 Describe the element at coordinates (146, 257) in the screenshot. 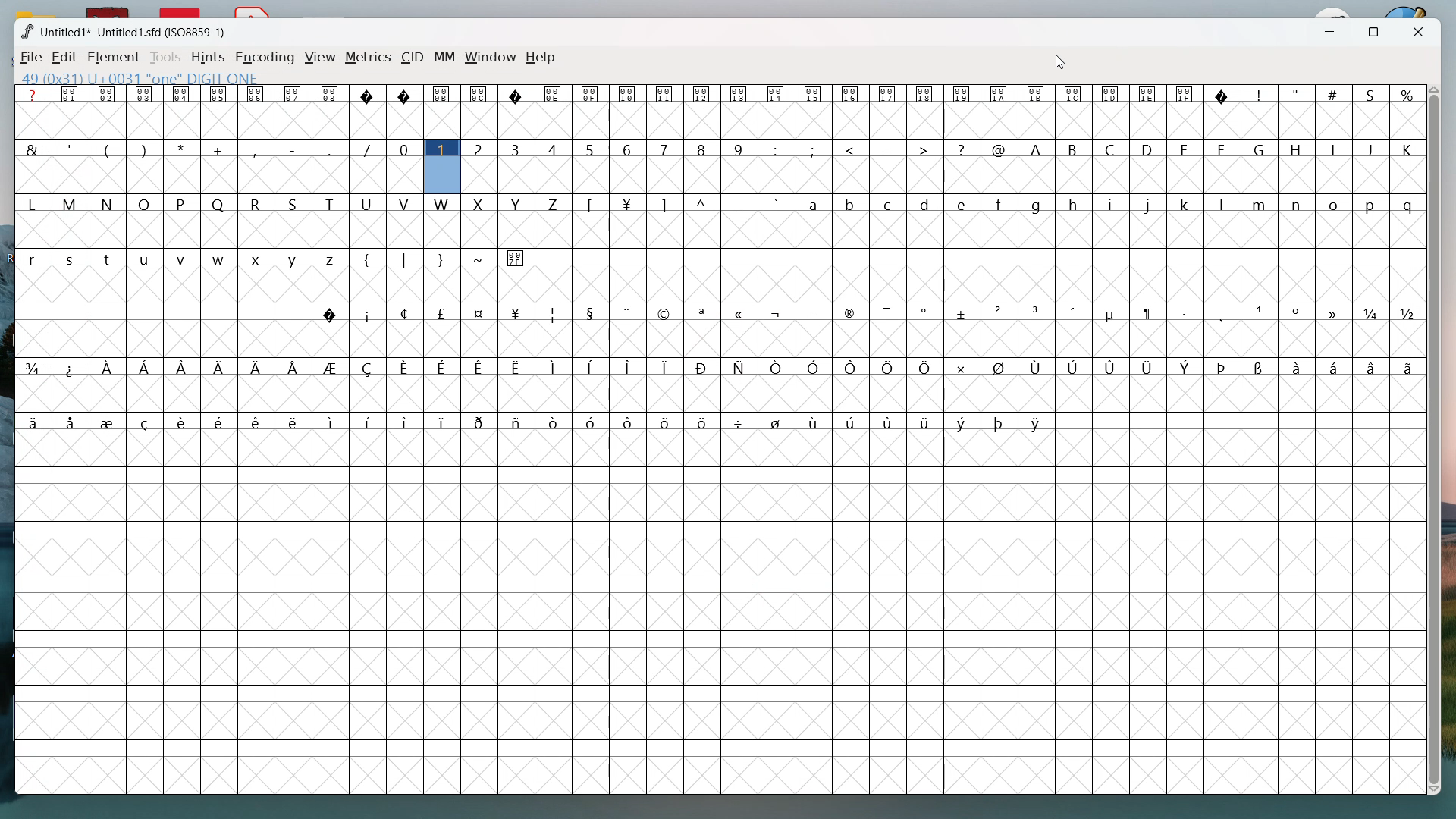

I see `u` at that location.